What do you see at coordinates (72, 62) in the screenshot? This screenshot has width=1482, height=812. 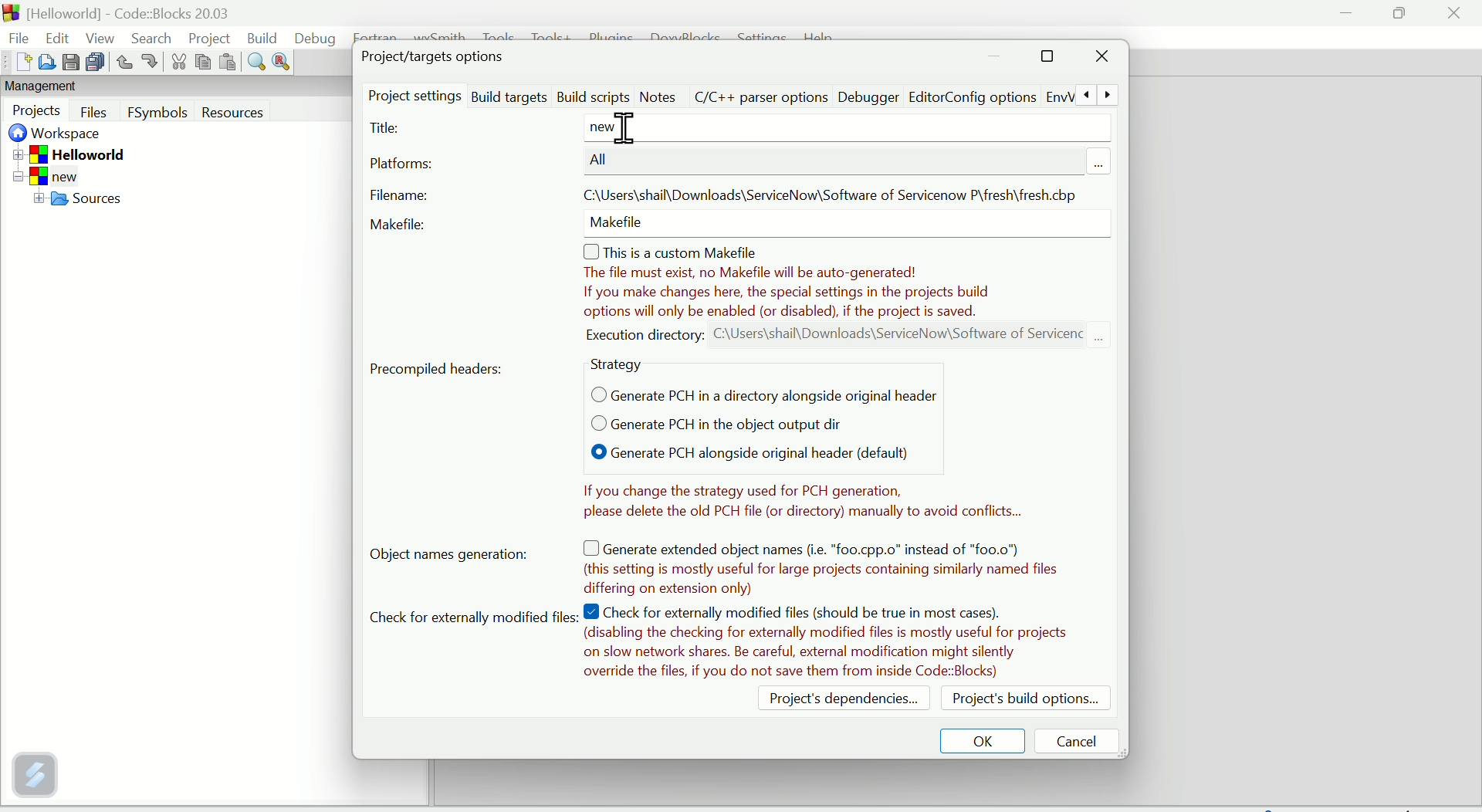 I see `Save` at bounding box center [72, 62].